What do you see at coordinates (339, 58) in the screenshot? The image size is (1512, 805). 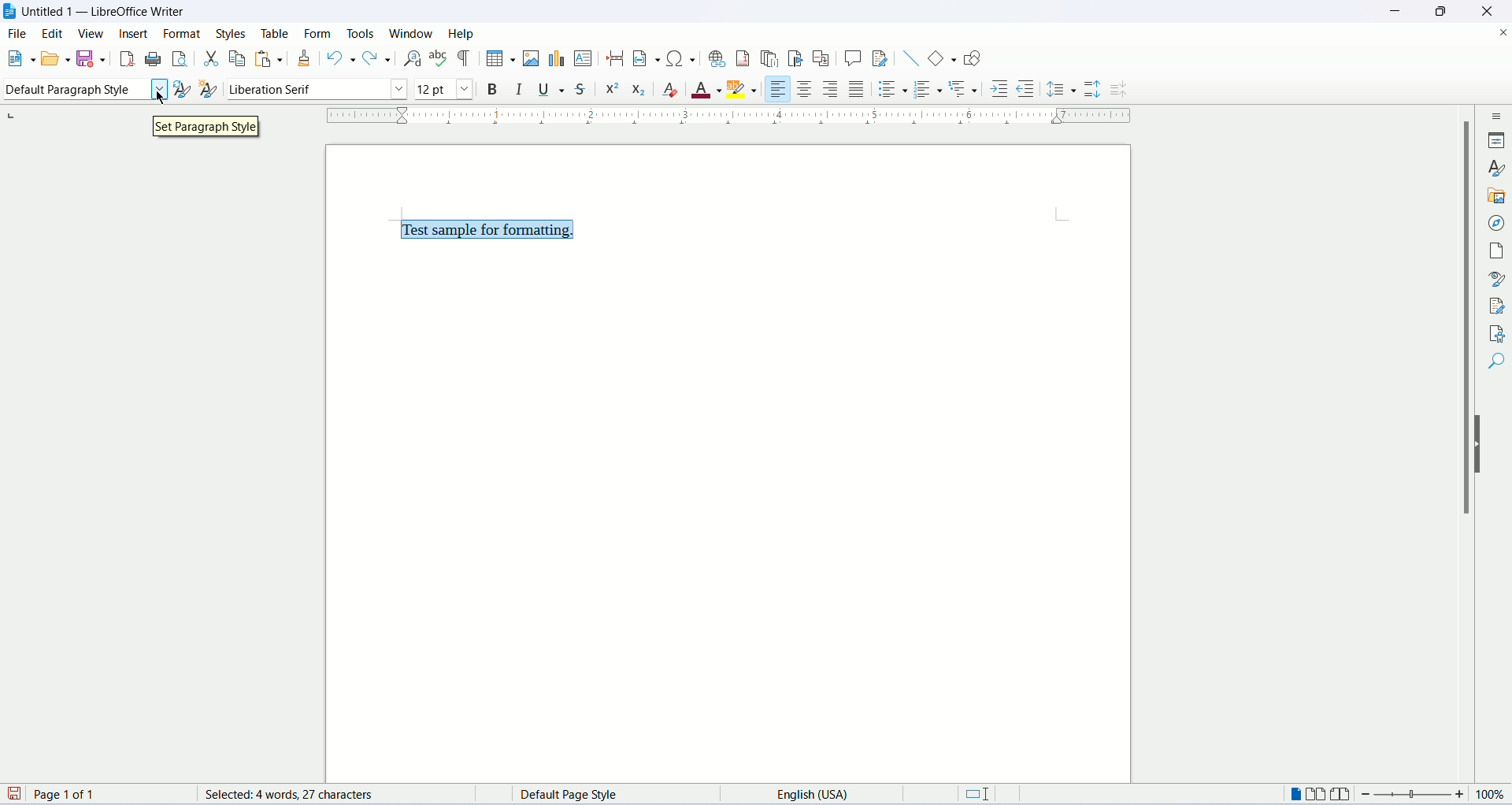 I see `undo` at bounding box center [339, 58].